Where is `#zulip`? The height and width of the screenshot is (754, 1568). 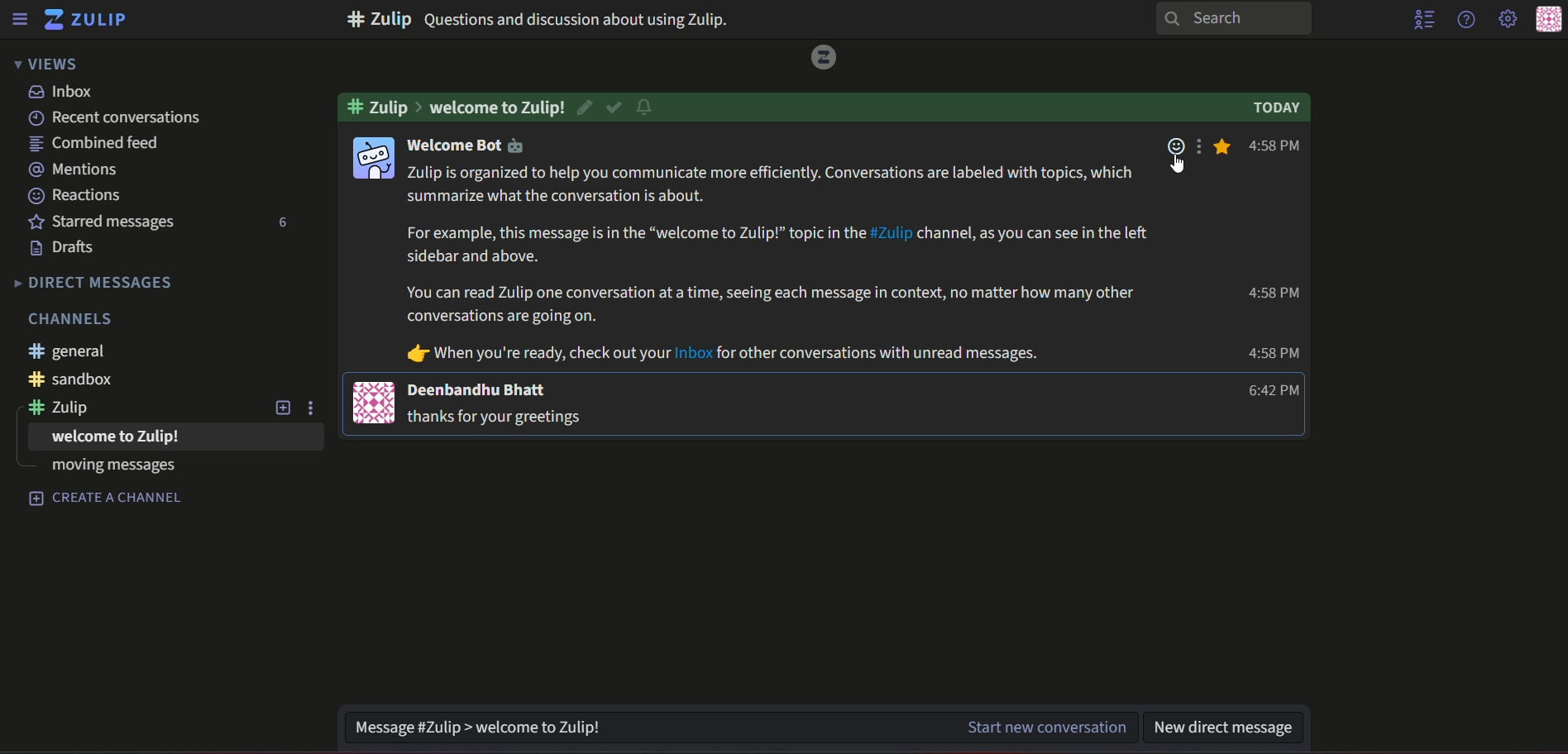 #zulip is located at coordinates (64, 408).